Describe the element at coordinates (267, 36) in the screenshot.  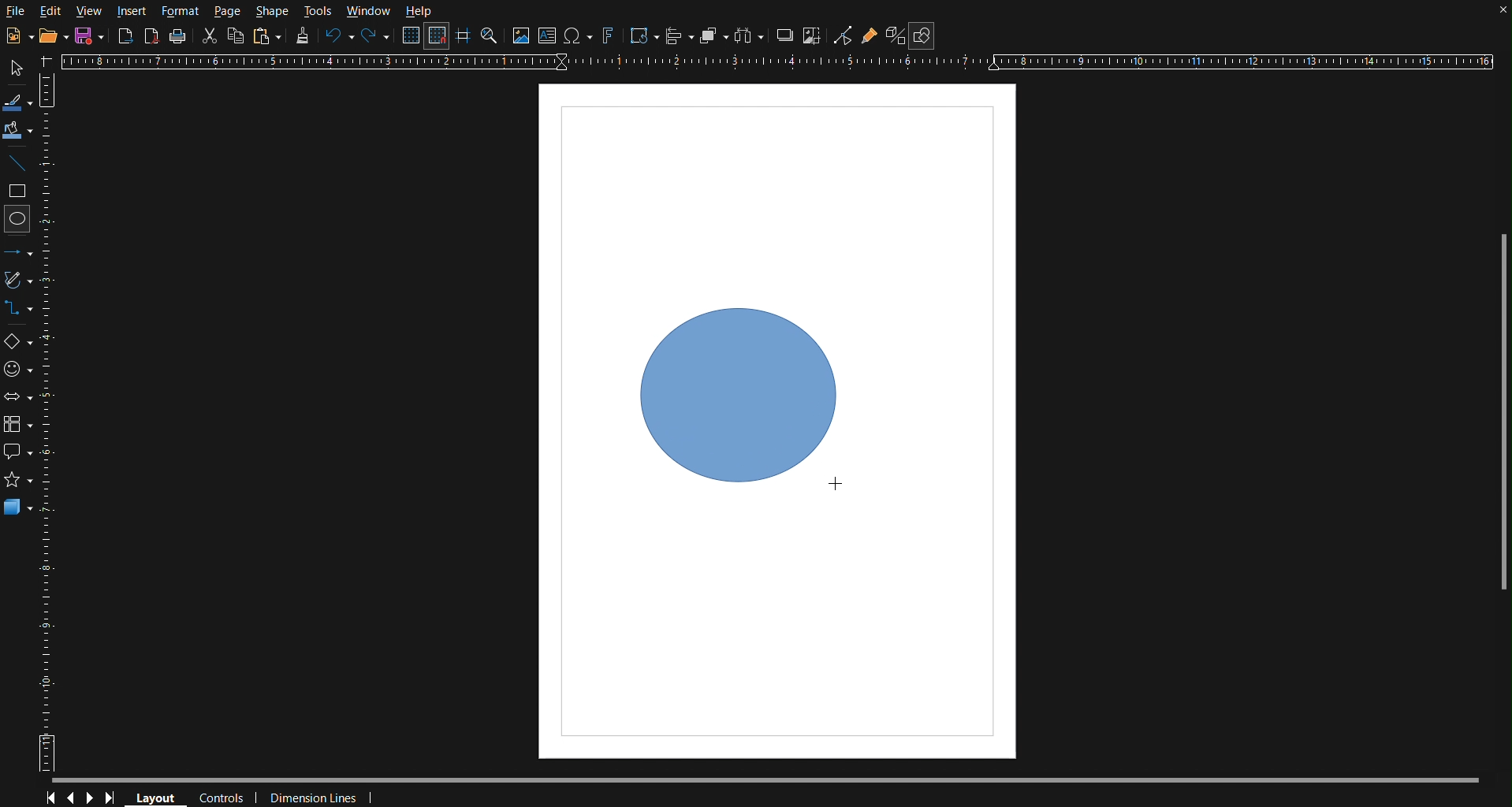
I see `Paste` at that location.